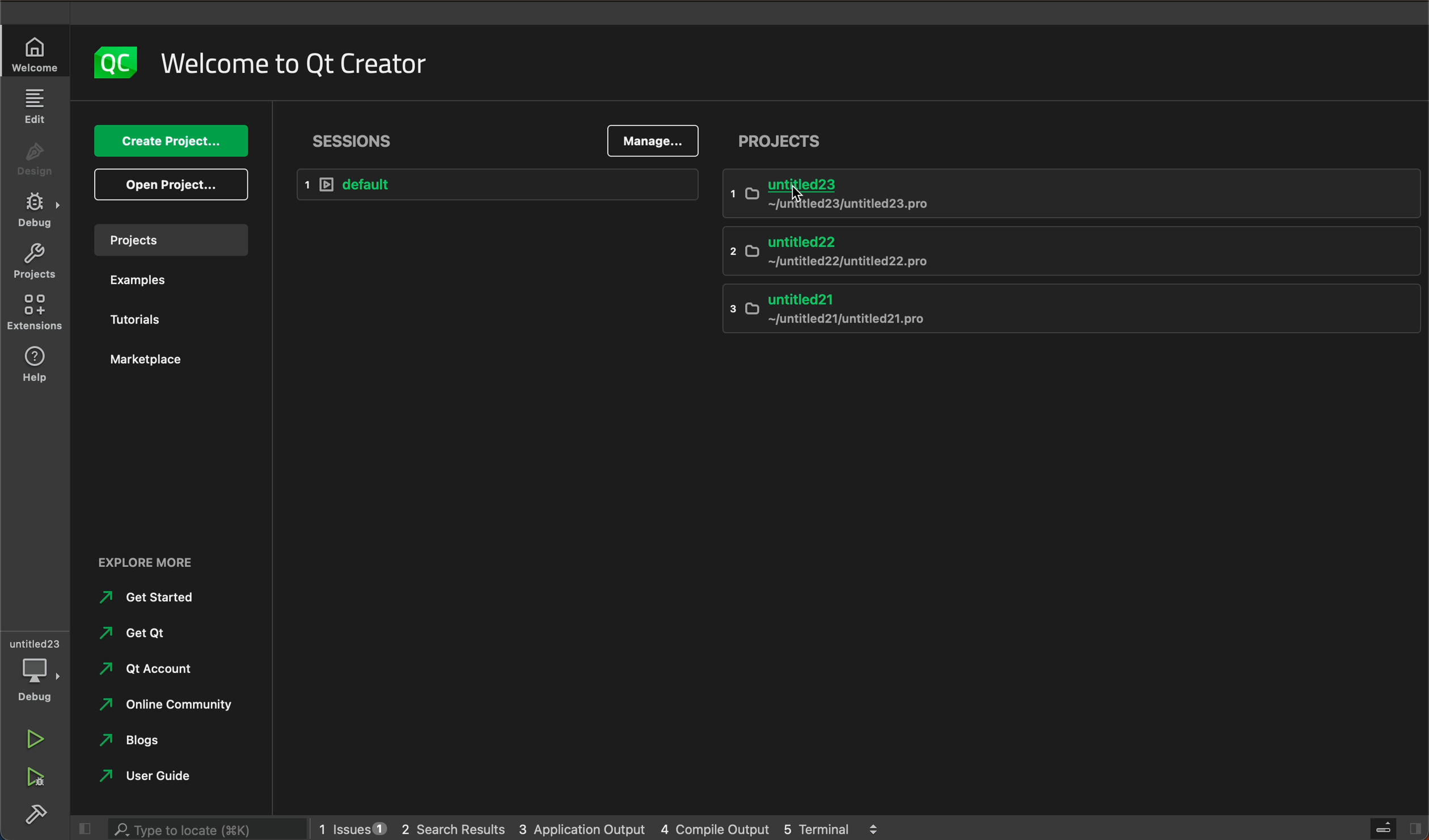  What do you see at coordinates (606, 828) in the screenshot?
I see `logs` at bounding box center [606, 828].